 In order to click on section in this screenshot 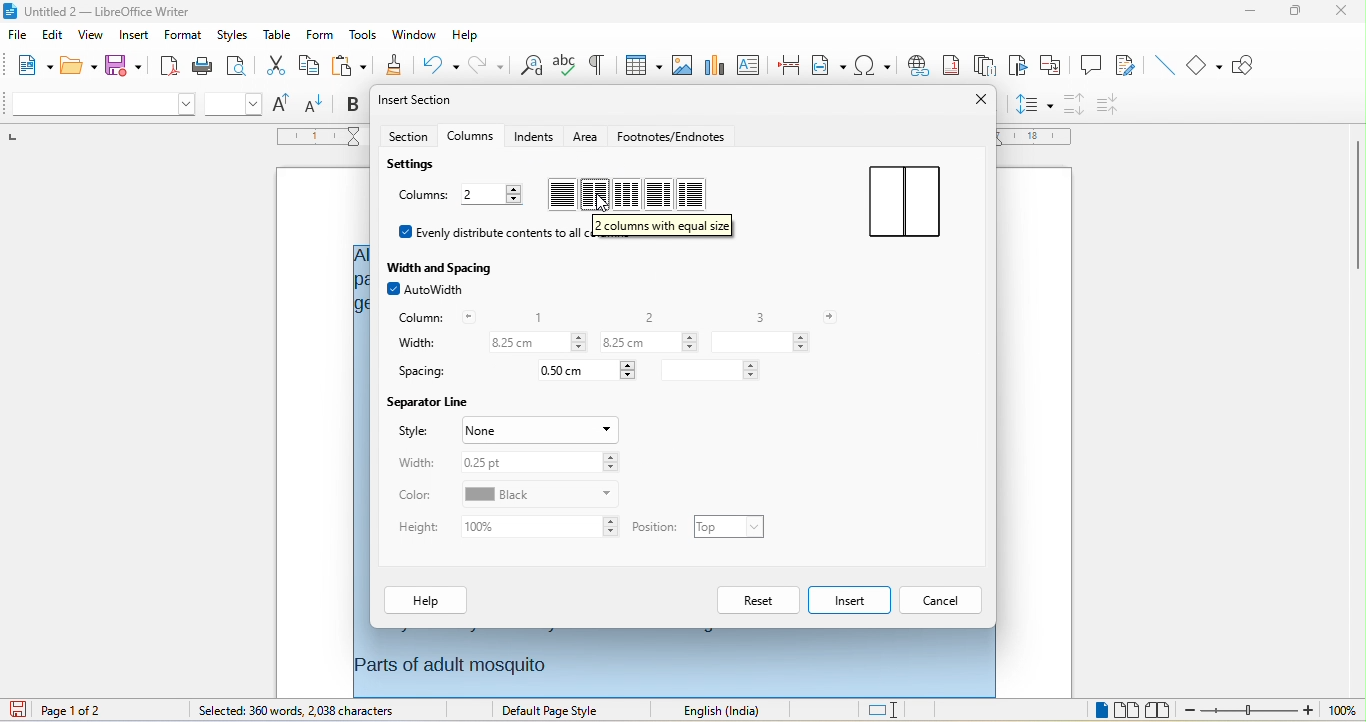, I will do `click(408, 136)`.